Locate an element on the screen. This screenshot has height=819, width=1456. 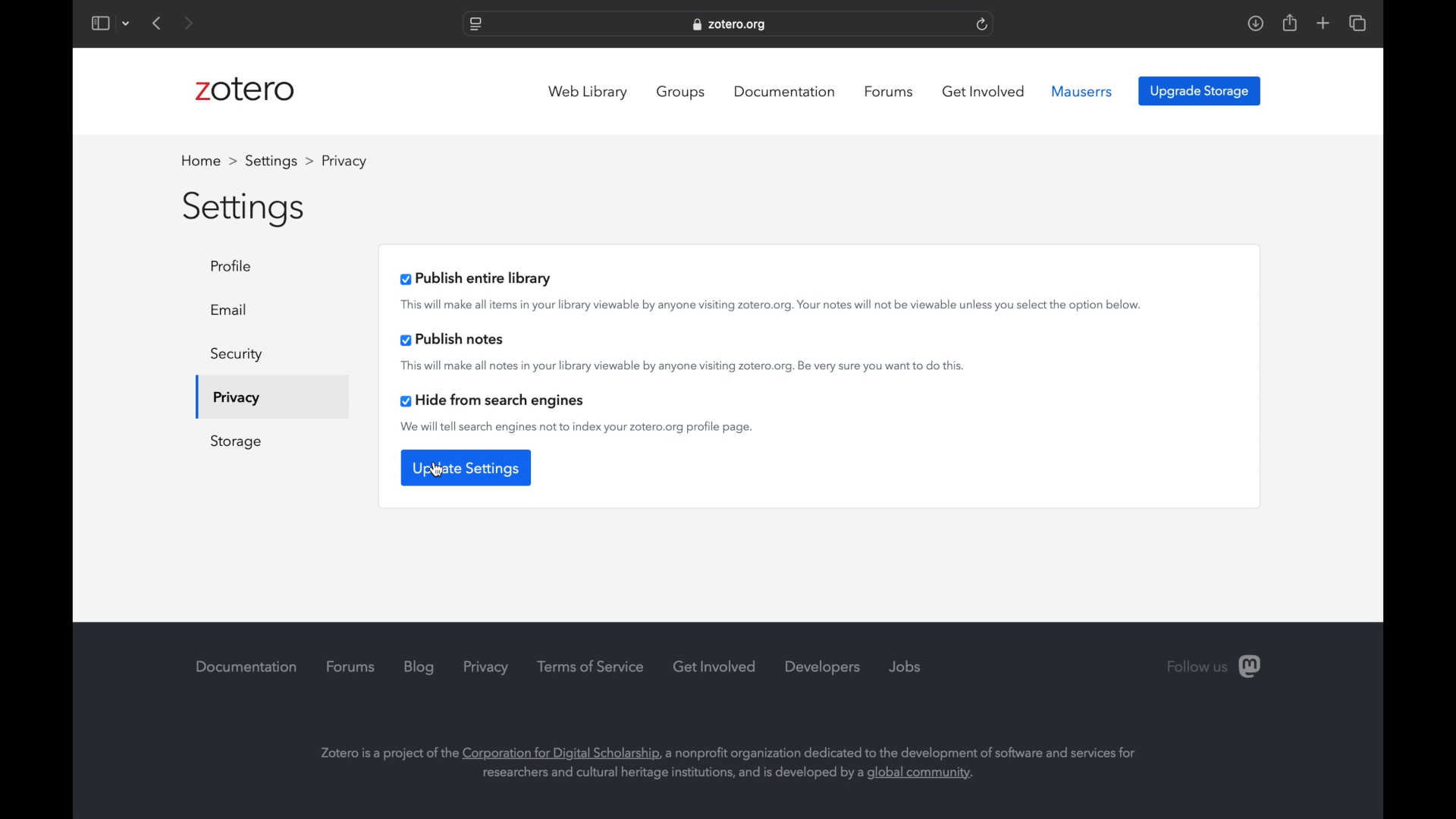
privacy is located at coordinates (235, 399).